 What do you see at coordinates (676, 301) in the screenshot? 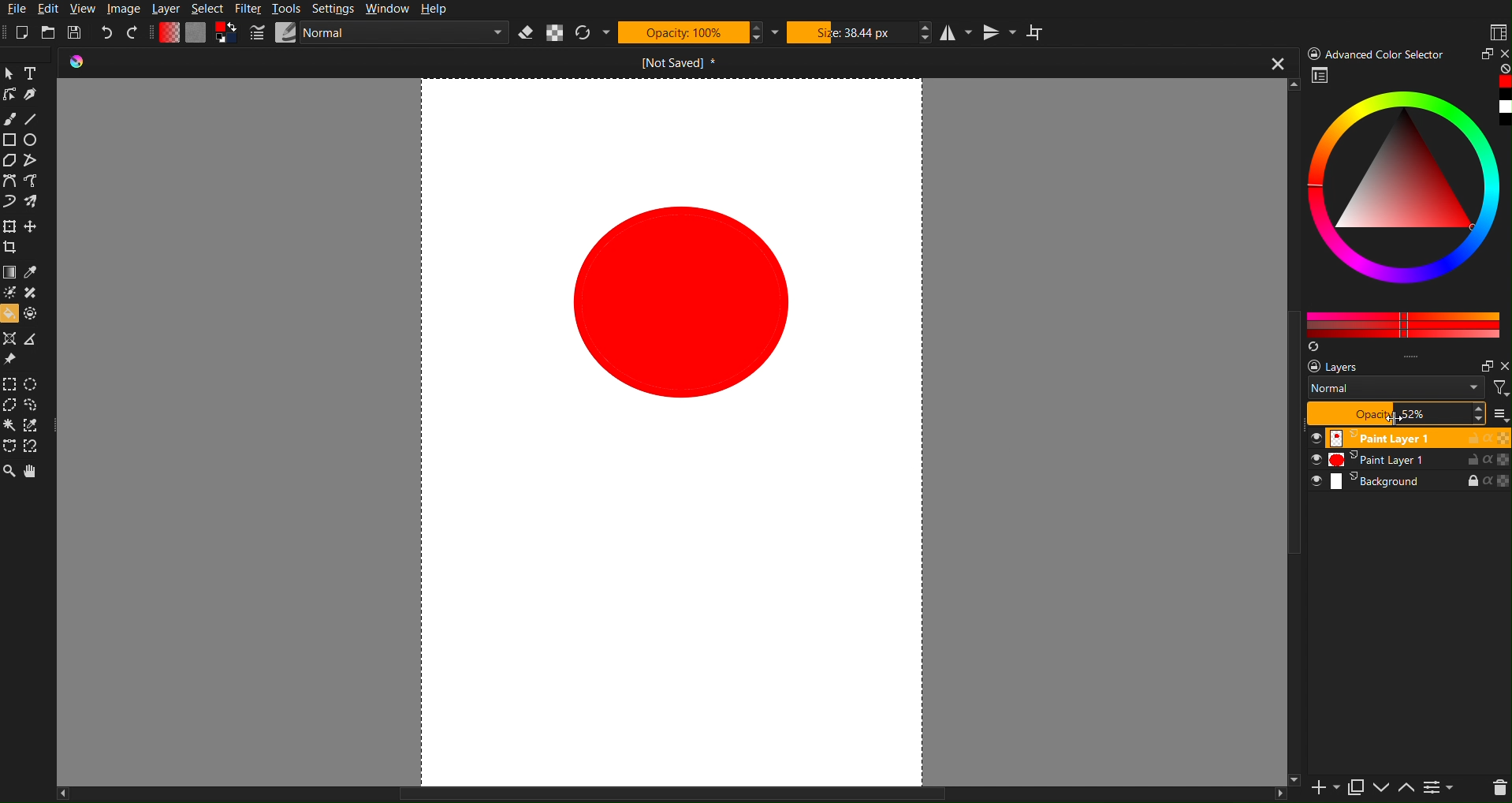
I see `Circle` at bounding box center [676, 301].